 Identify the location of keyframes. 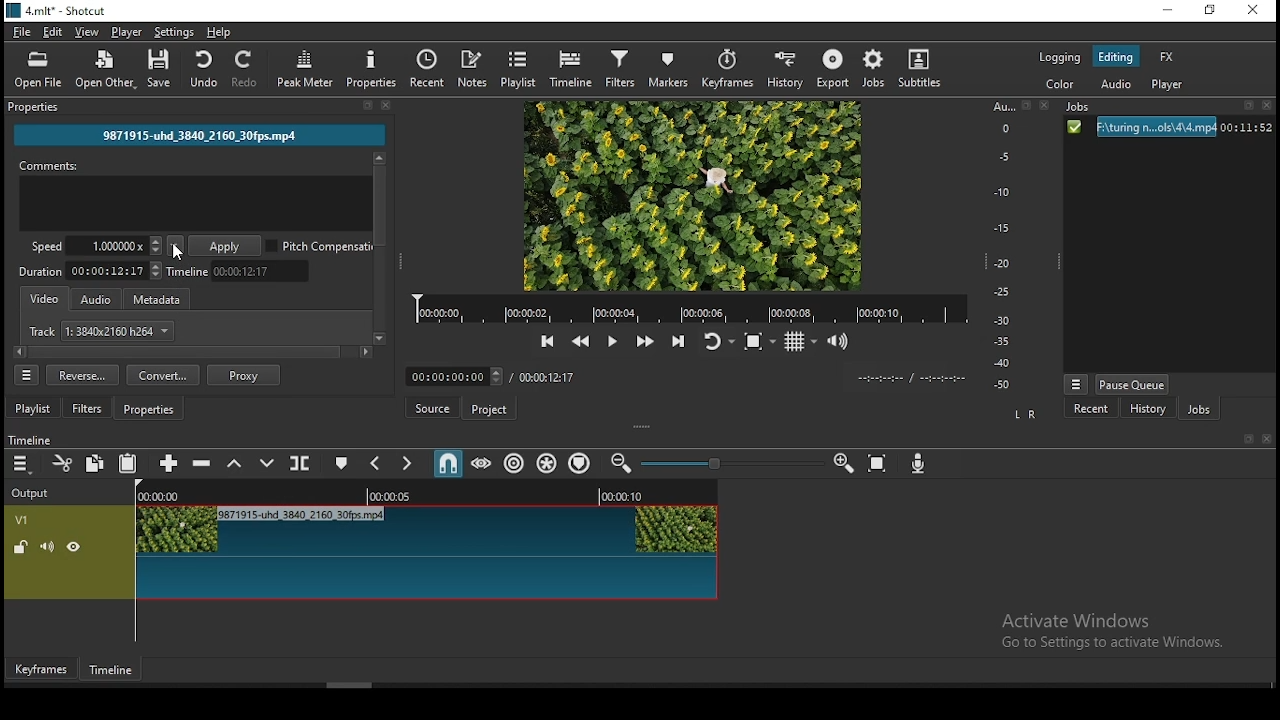
(731, 69).